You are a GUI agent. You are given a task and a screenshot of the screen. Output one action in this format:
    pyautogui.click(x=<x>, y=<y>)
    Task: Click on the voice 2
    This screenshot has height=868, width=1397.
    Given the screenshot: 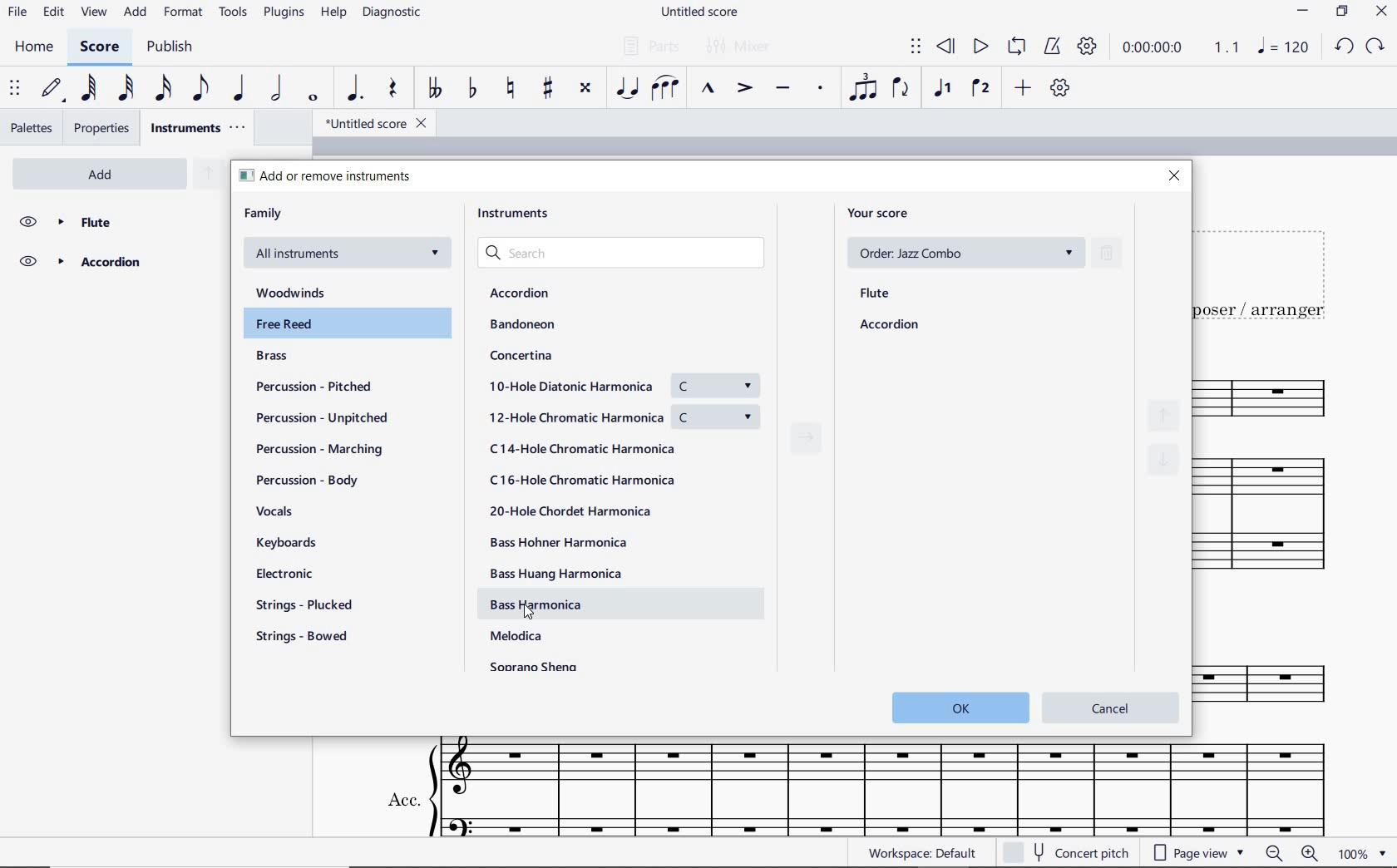 What is the action you would take?
    pyautogui.click(x=980, y=89)
    